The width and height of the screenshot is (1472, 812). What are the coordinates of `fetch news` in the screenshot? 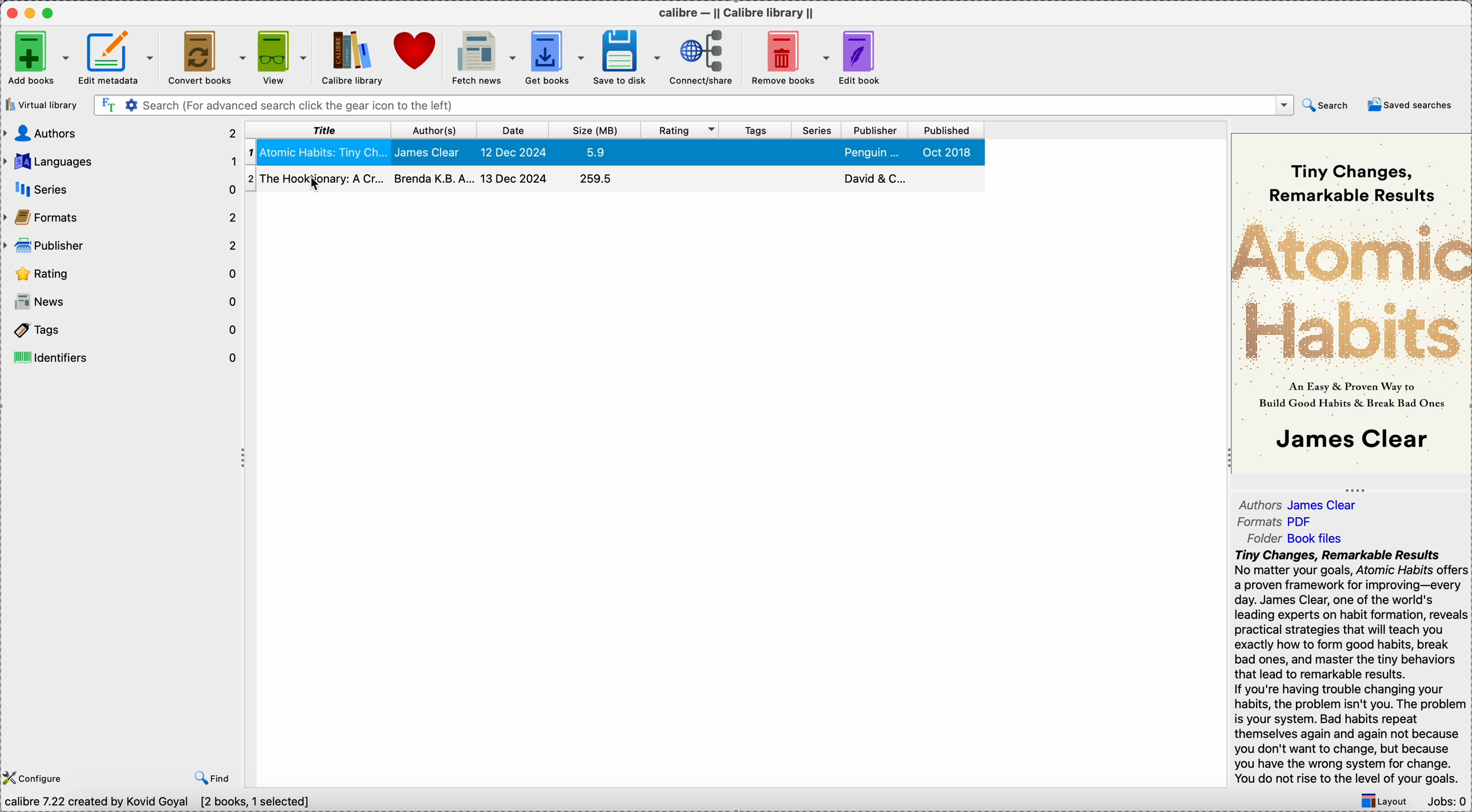 It's located at (484, 55).